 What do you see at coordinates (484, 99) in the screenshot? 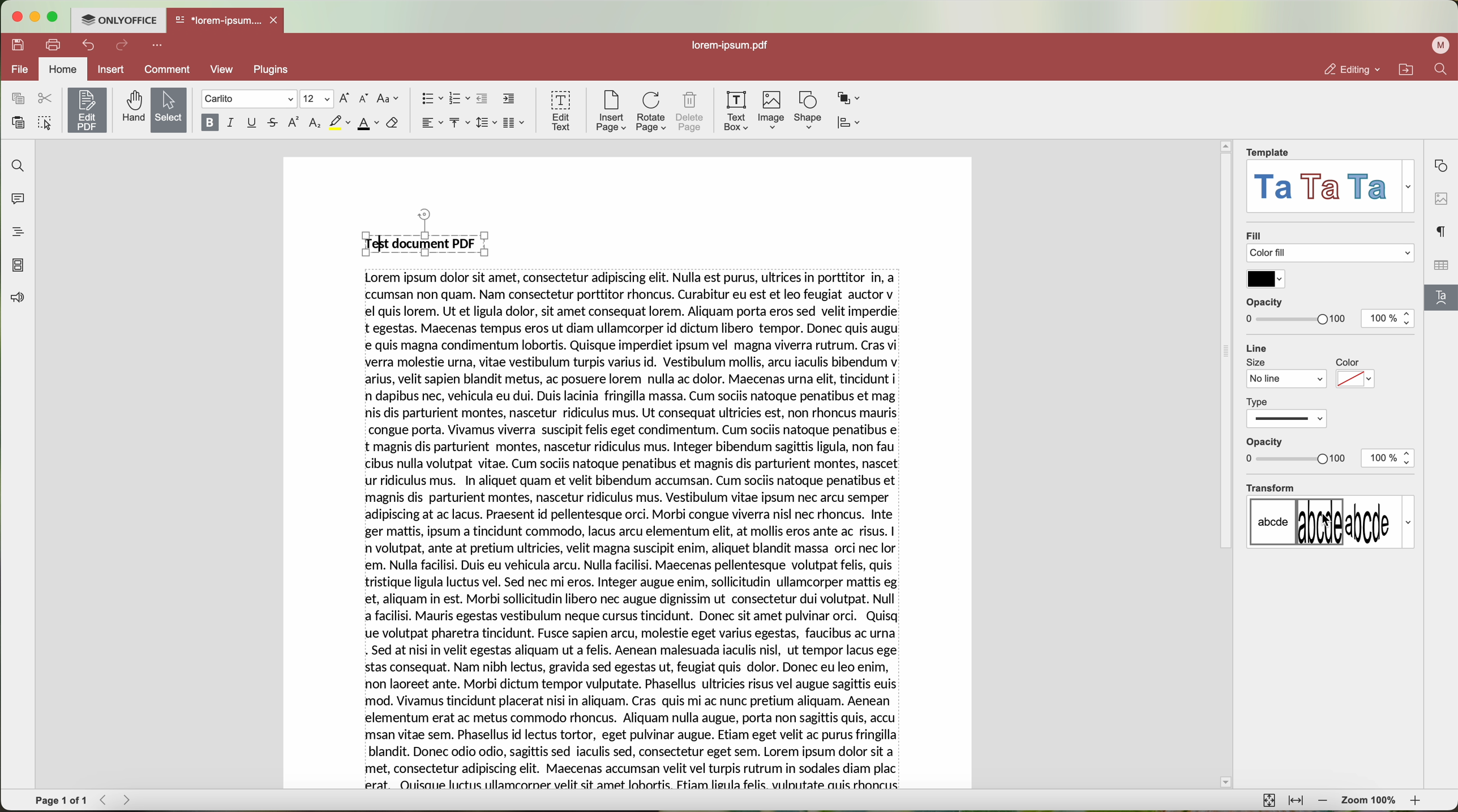
I see `decrease indent` at bounding box center [484, 99].